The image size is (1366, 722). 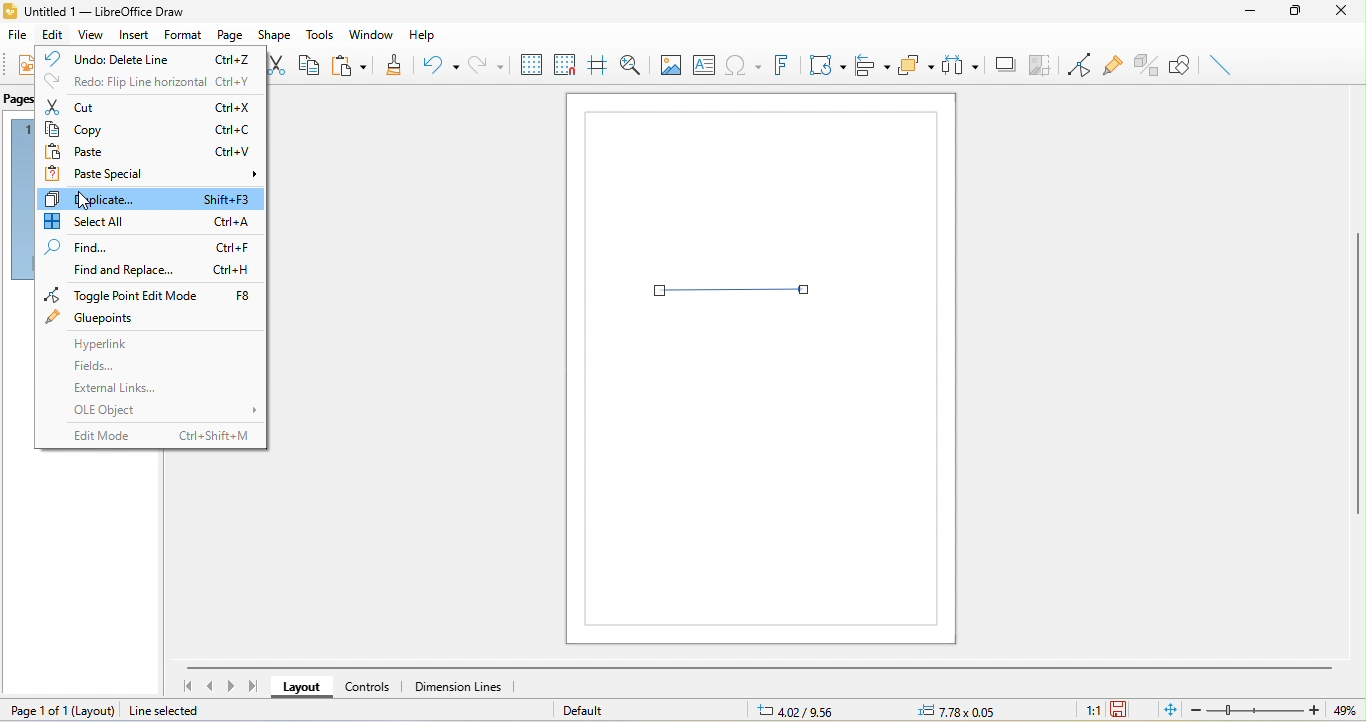 I want to click on arrange, so click(x=917, y=67).